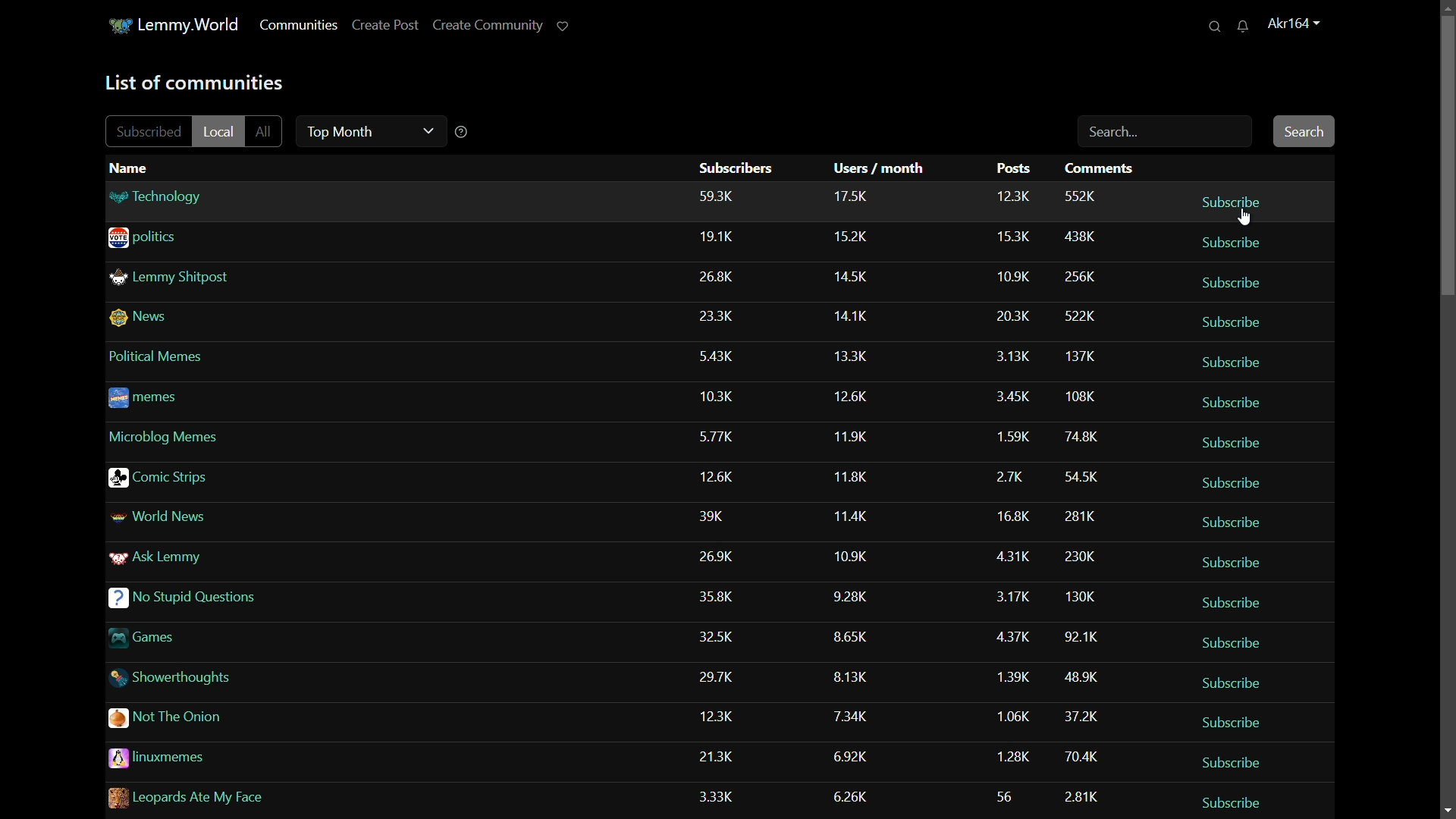  What do you see at coordinates (290, 721) in the screenshot?
I see `communities name` at bounding box center [290, 721].